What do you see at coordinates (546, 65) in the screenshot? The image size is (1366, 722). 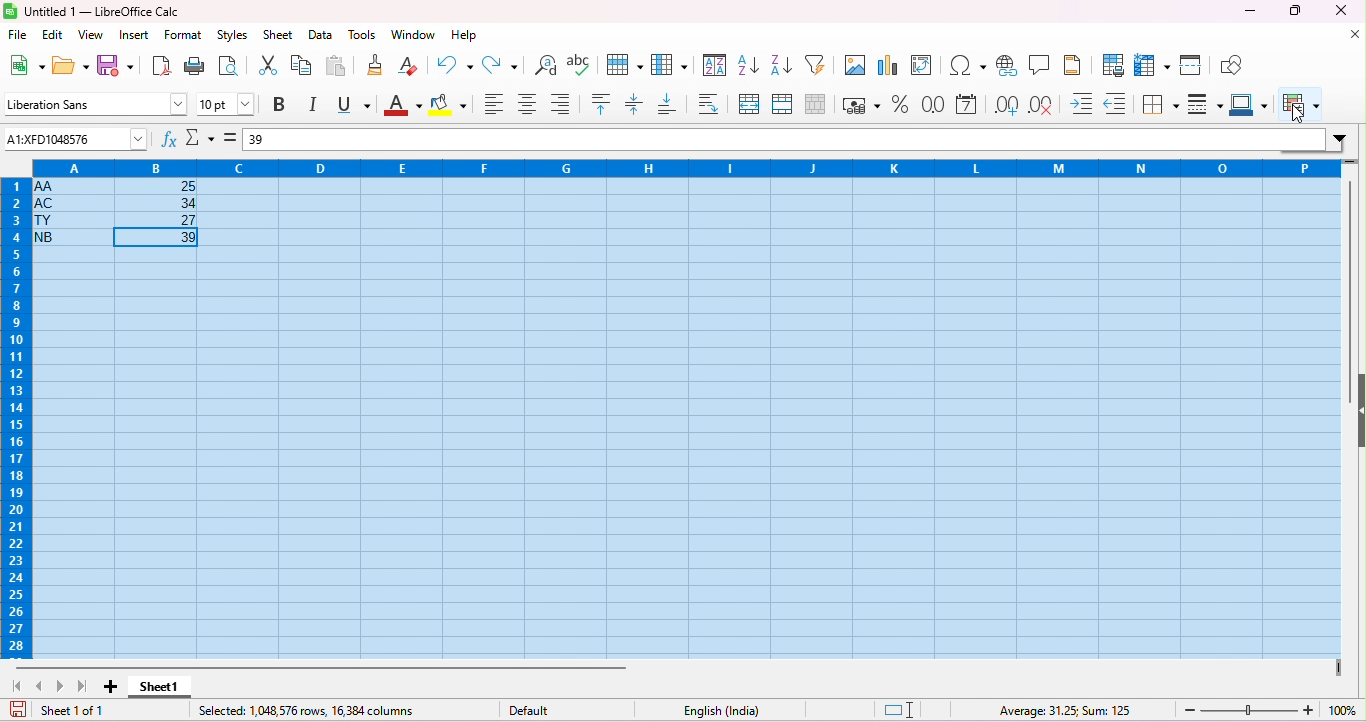 I see `find and replace` at bounding box center [546, 65].